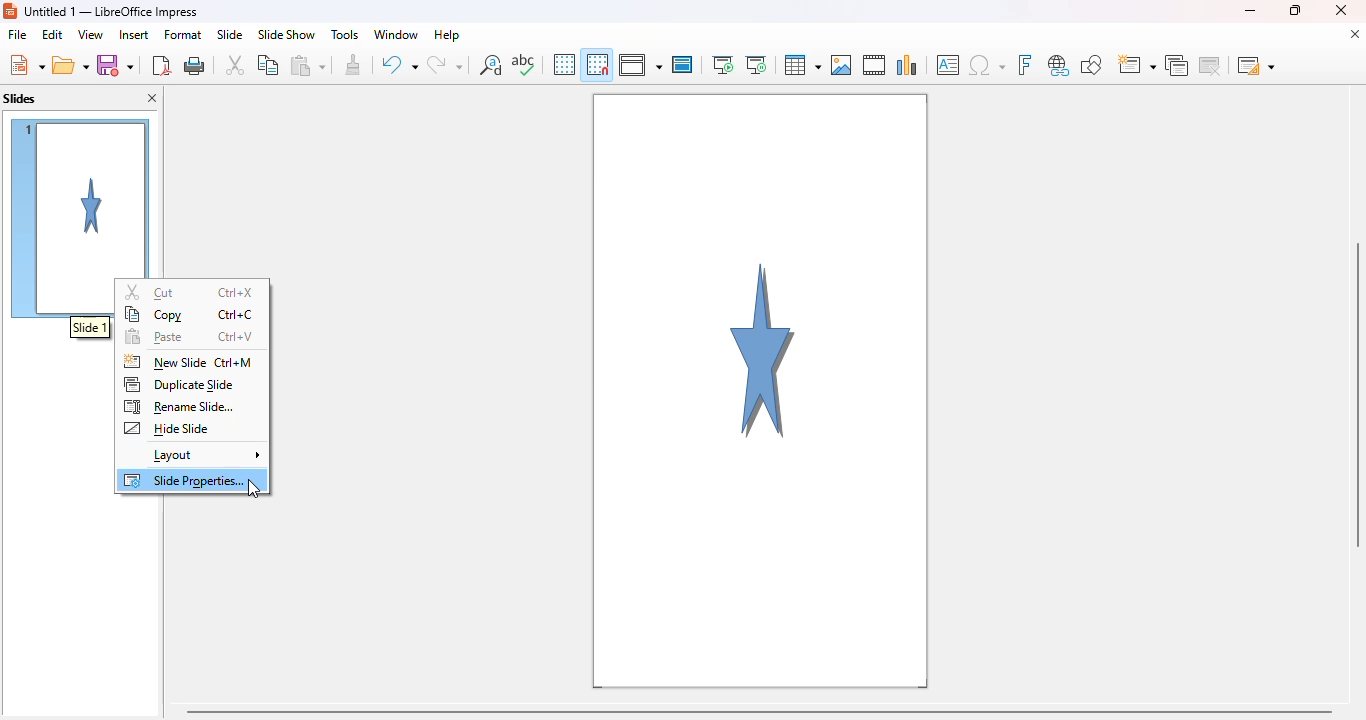  I want to click on new slide, so click(163, 362).